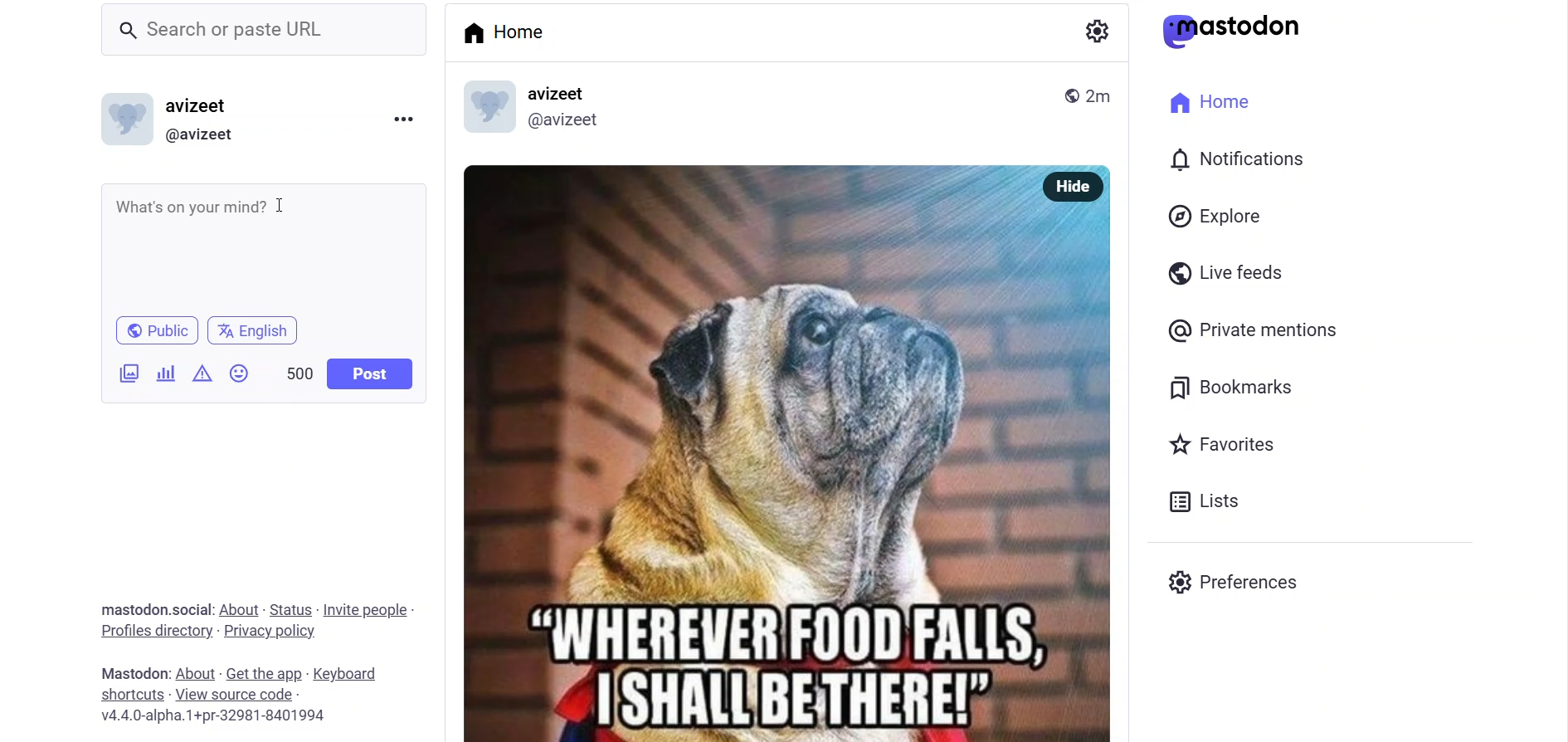  I want to click on content warning, so click(204, 374).